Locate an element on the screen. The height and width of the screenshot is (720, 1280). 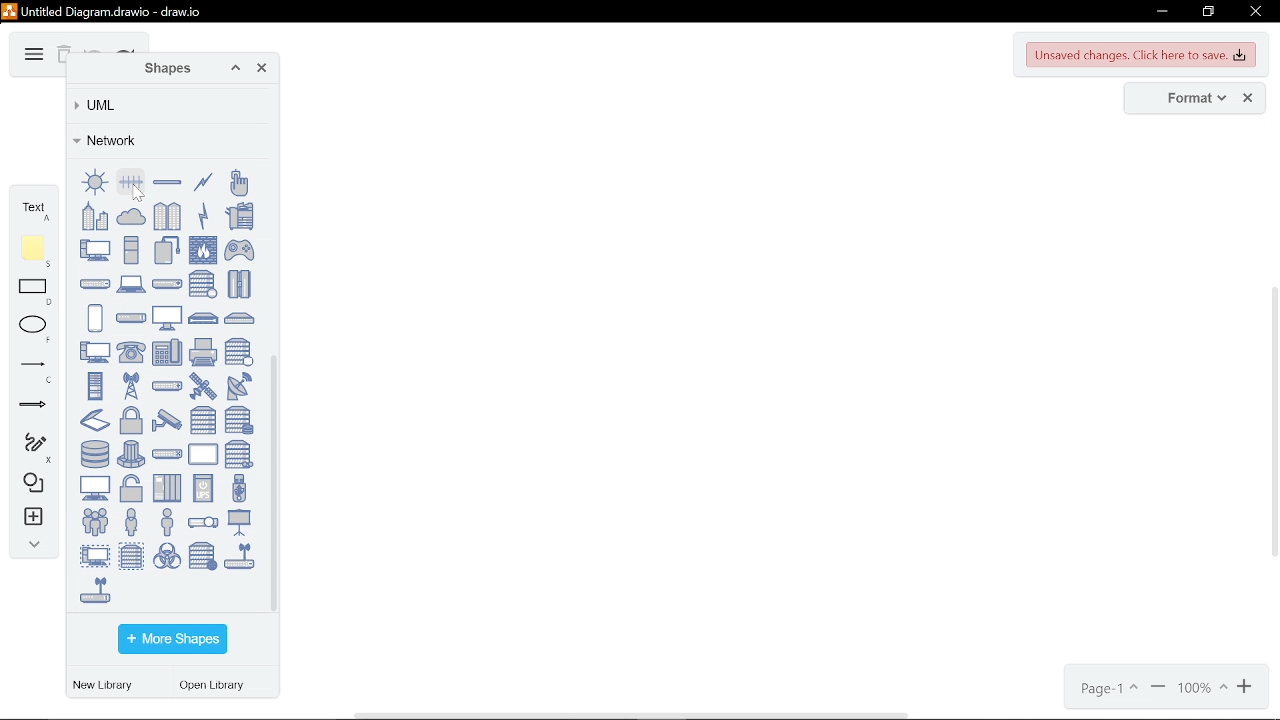
page is located at coordinates (1107, 689).